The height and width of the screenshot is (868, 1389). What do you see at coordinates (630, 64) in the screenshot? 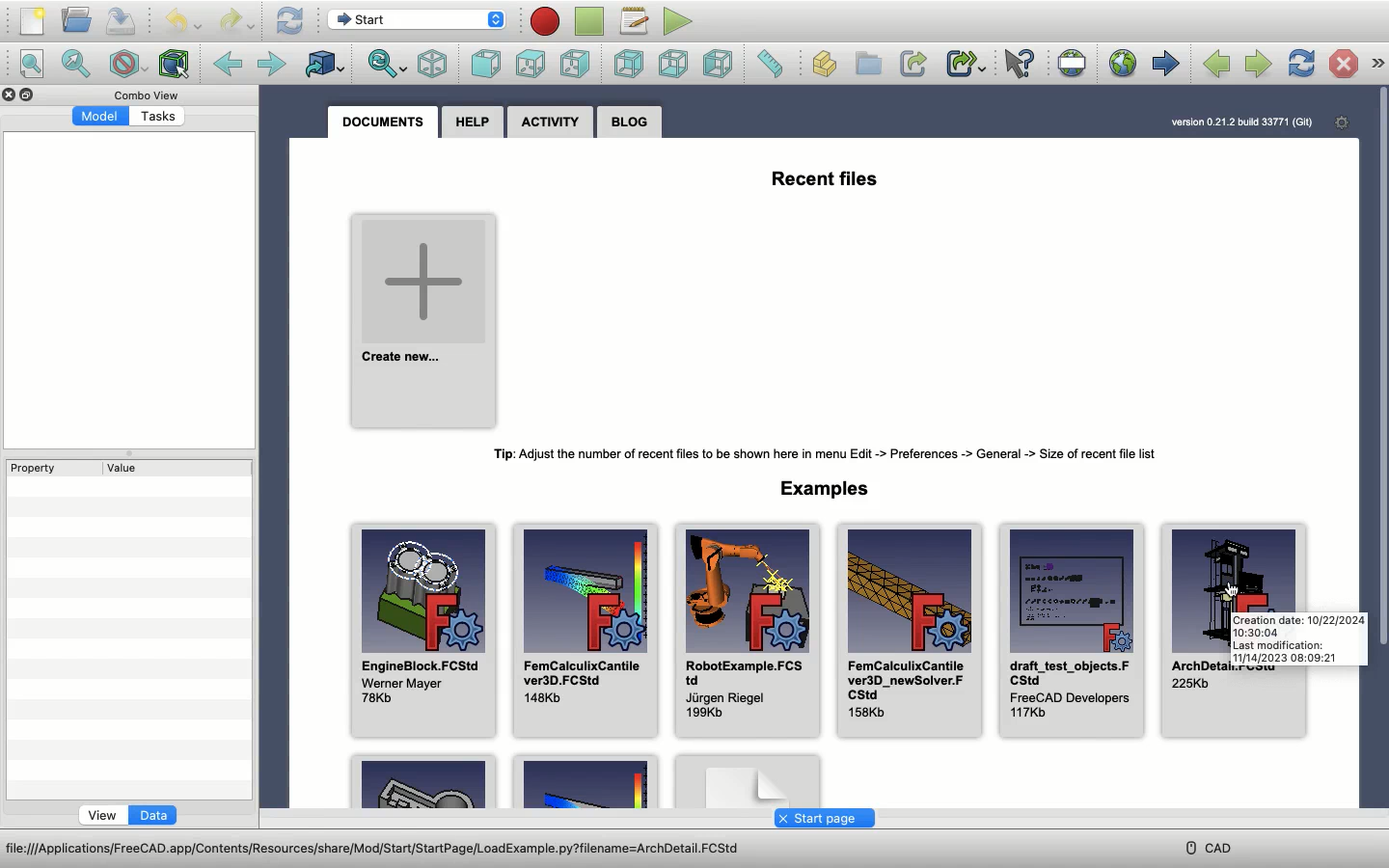
I see `Rear` at bounding box center [630, 64].